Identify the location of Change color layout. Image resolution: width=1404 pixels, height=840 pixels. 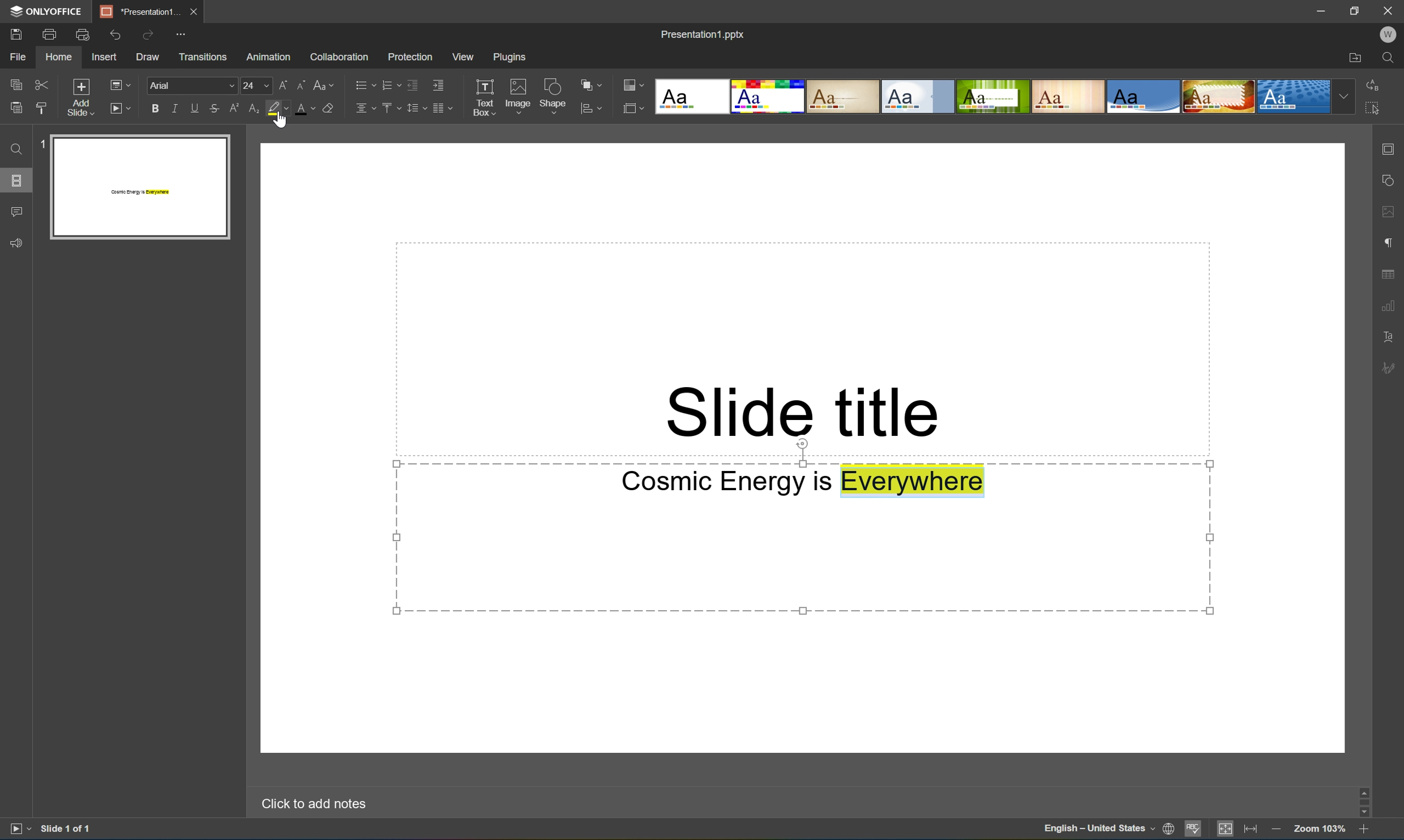
(633, 84).